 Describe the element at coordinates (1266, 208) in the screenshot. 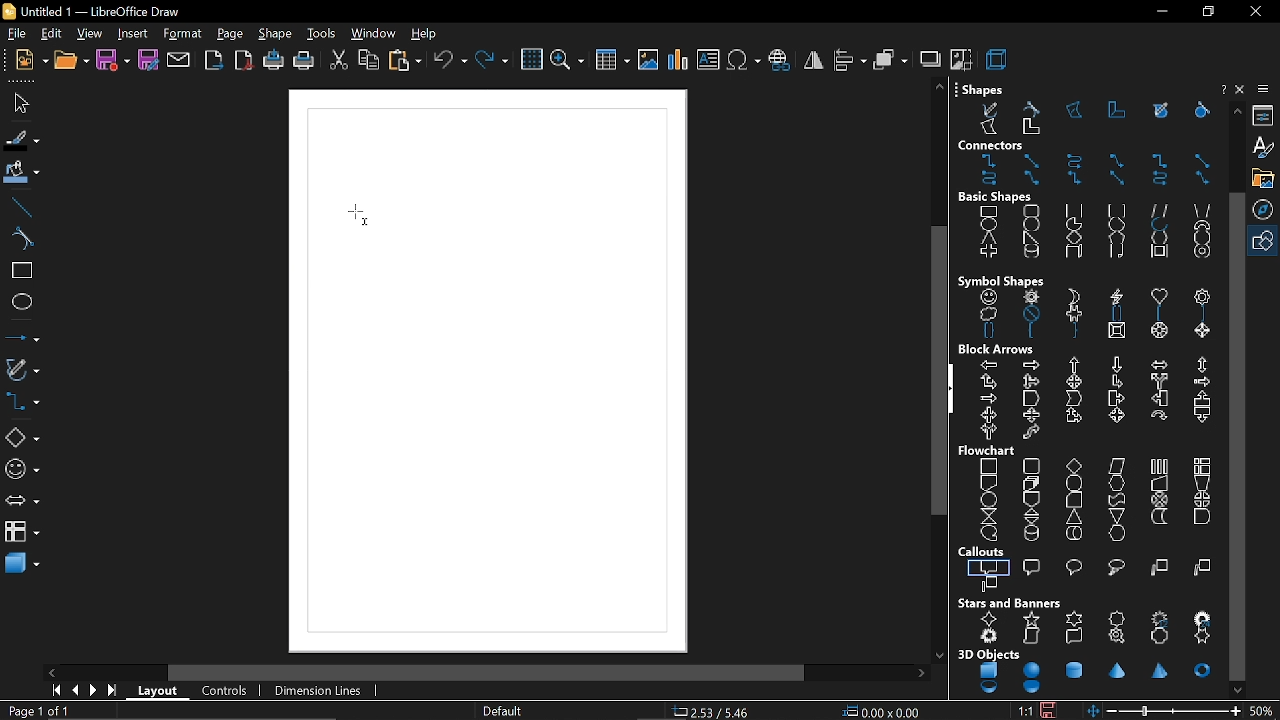

I see `navigation` at that location.